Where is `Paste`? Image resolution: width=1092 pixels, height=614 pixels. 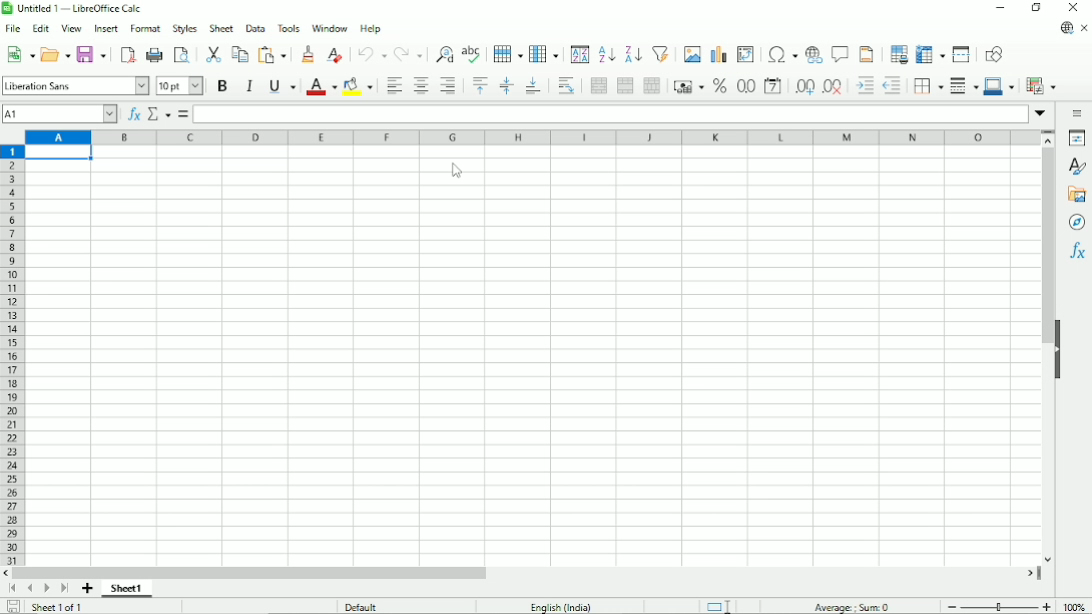 Paste is located at coordinates (273, 54).